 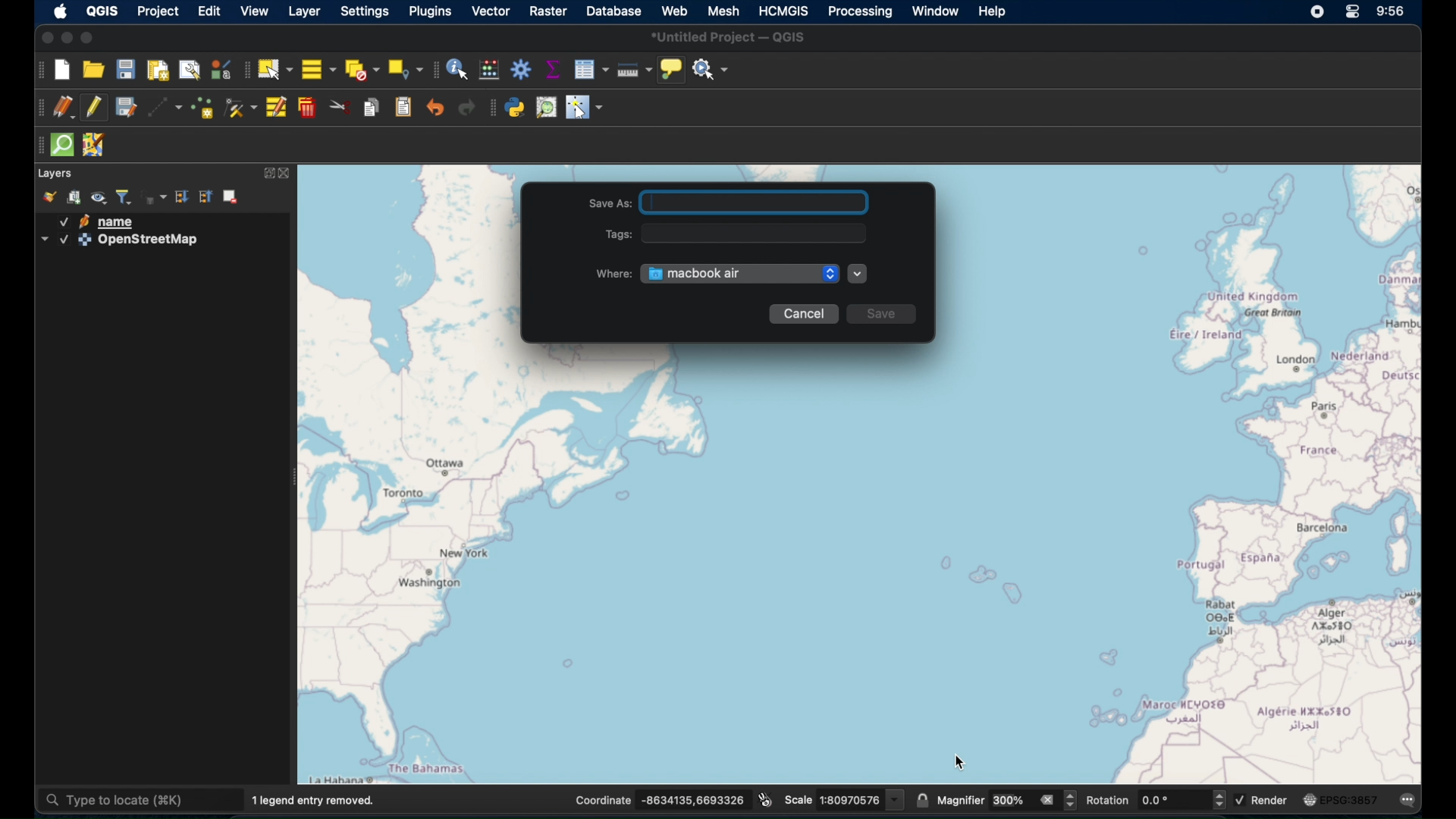 What do you see at coordinates (220, 71) in the screenshot?
I see `style manager` at bounding box center [220, 71].